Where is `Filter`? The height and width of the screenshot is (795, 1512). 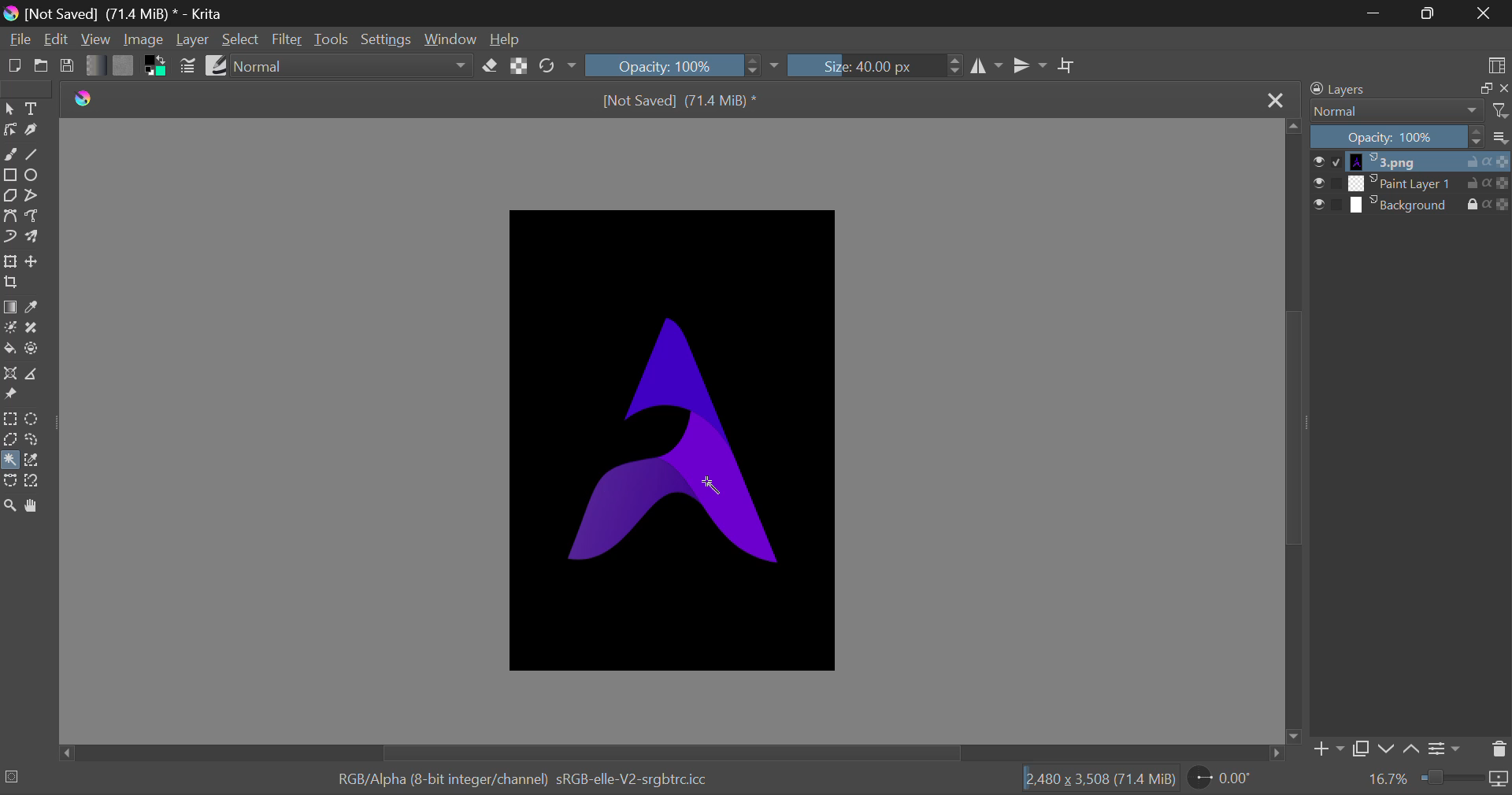 Filter is located at coordinates (289, 39).